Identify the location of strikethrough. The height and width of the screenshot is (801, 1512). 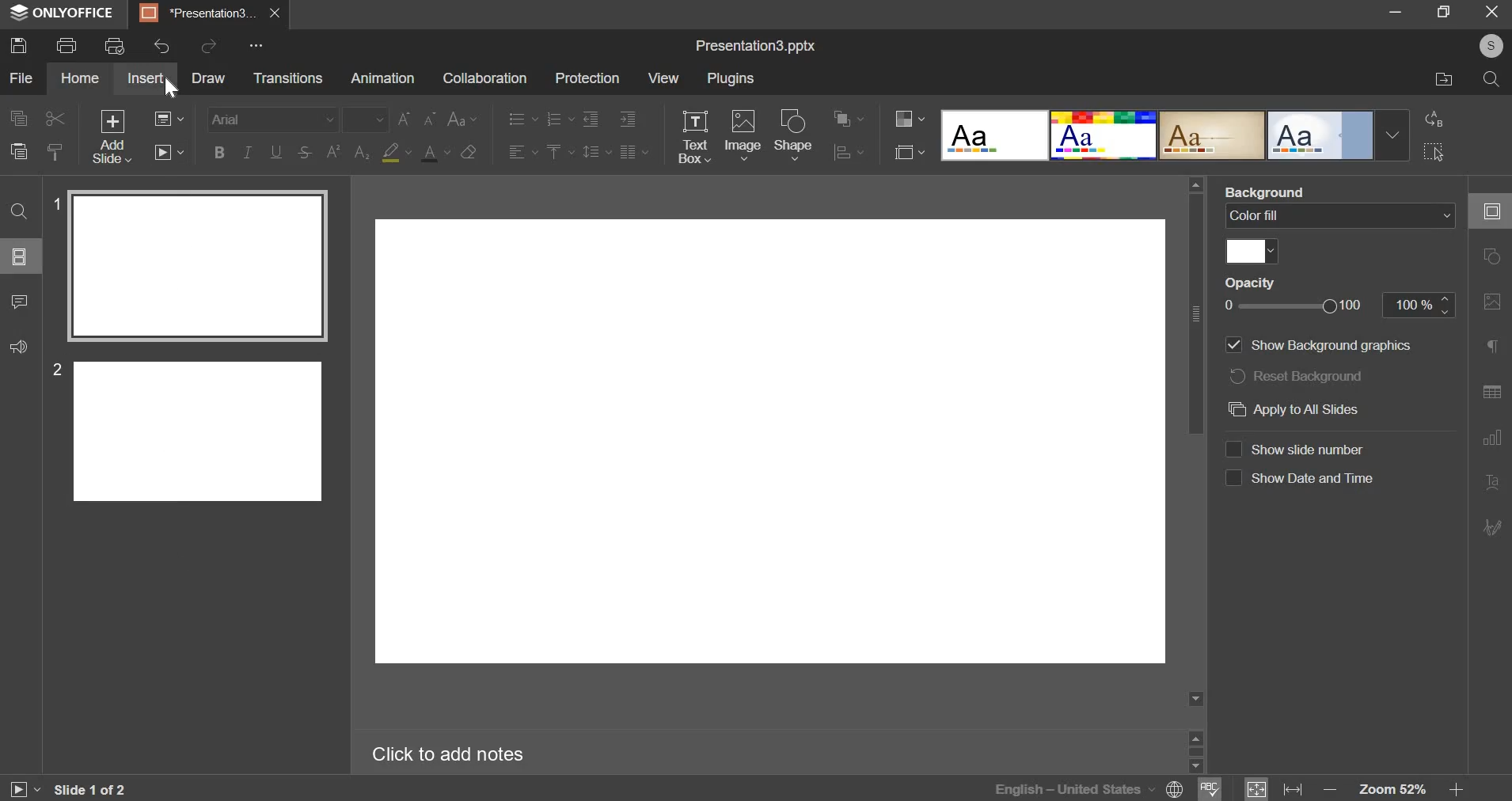
(306, 152).